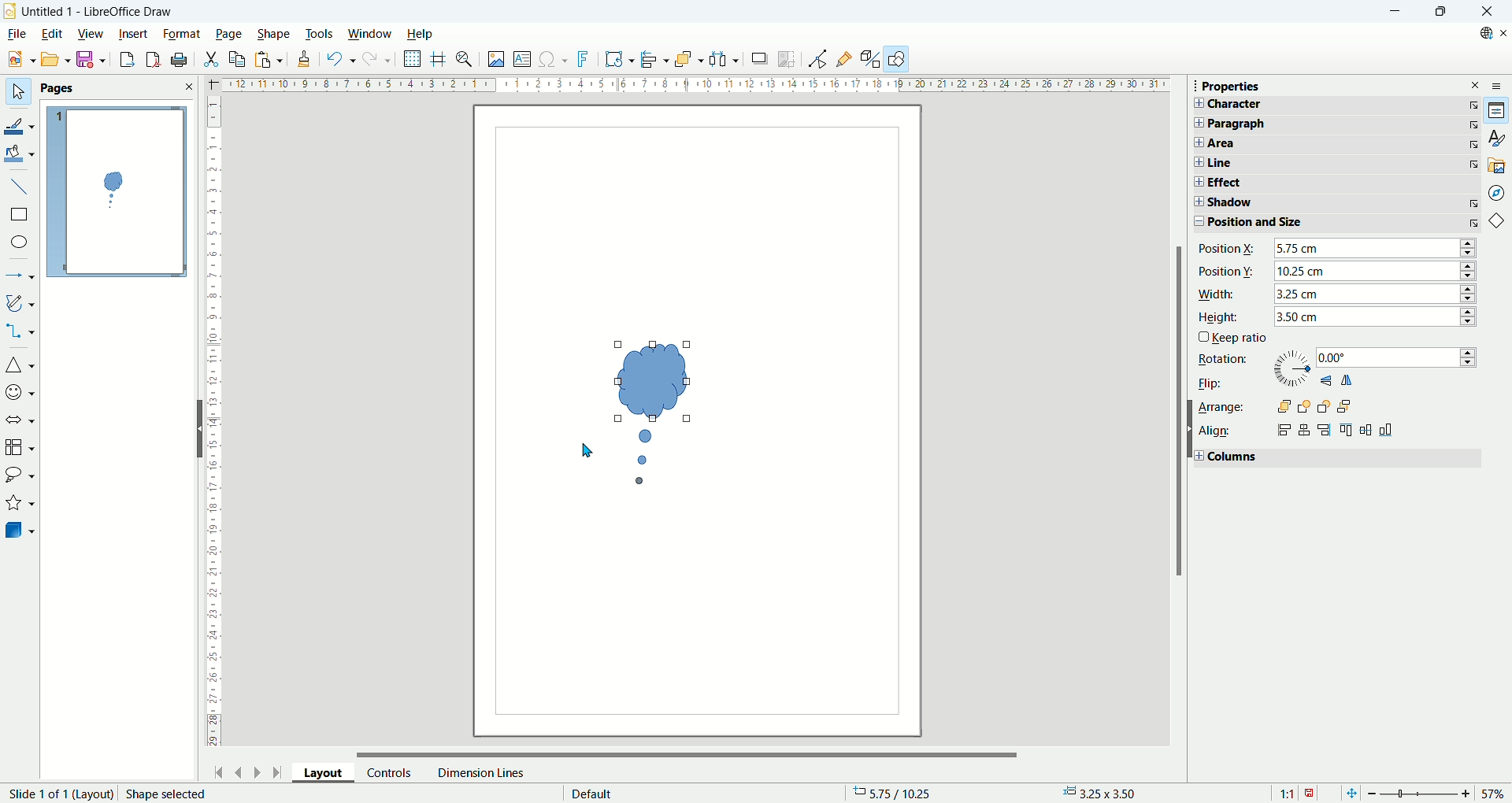 The height and width of the screenshot is (803, 1512). Describe the element at coordinates (1393, 12) in the screenshot. I see `minimize` at that location.